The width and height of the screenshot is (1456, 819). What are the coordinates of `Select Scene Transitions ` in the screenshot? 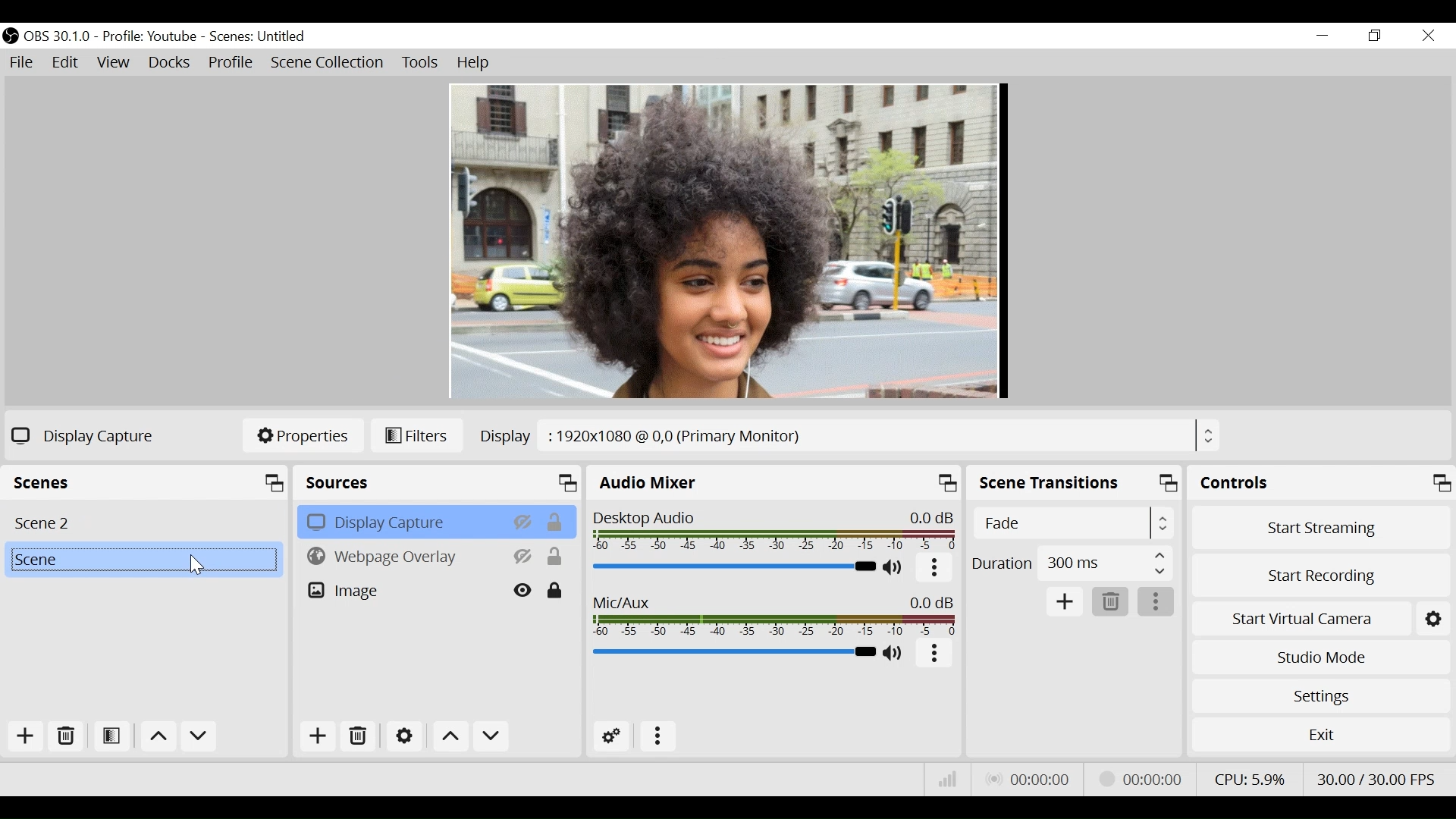 It's located at (1072, 522).